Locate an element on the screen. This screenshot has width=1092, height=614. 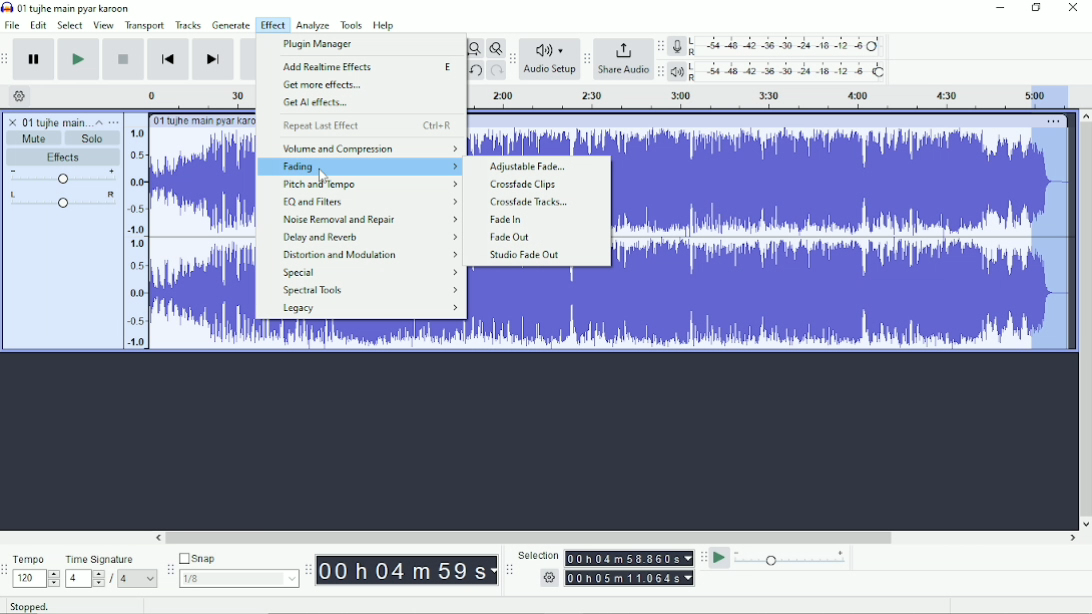
Play is located at coordinates (78, 59).